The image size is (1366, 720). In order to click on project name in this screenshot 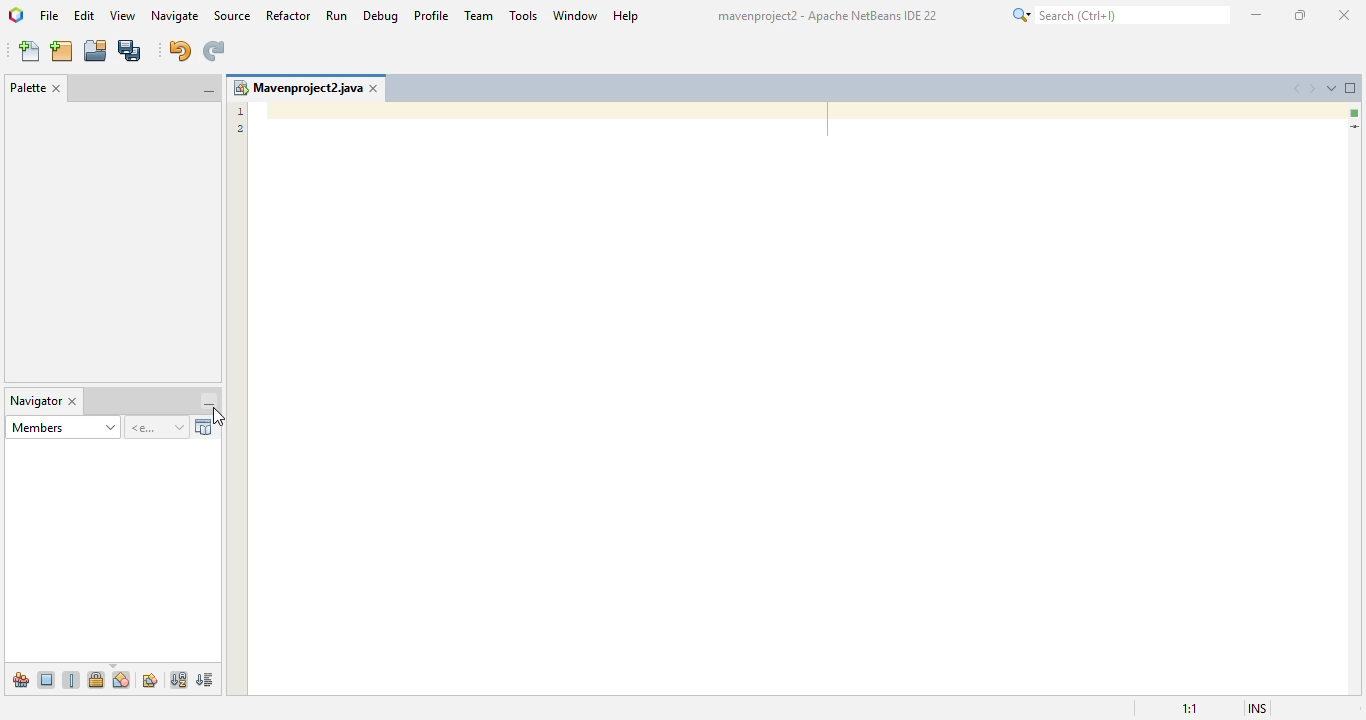, I will do `click(297, 88)`.